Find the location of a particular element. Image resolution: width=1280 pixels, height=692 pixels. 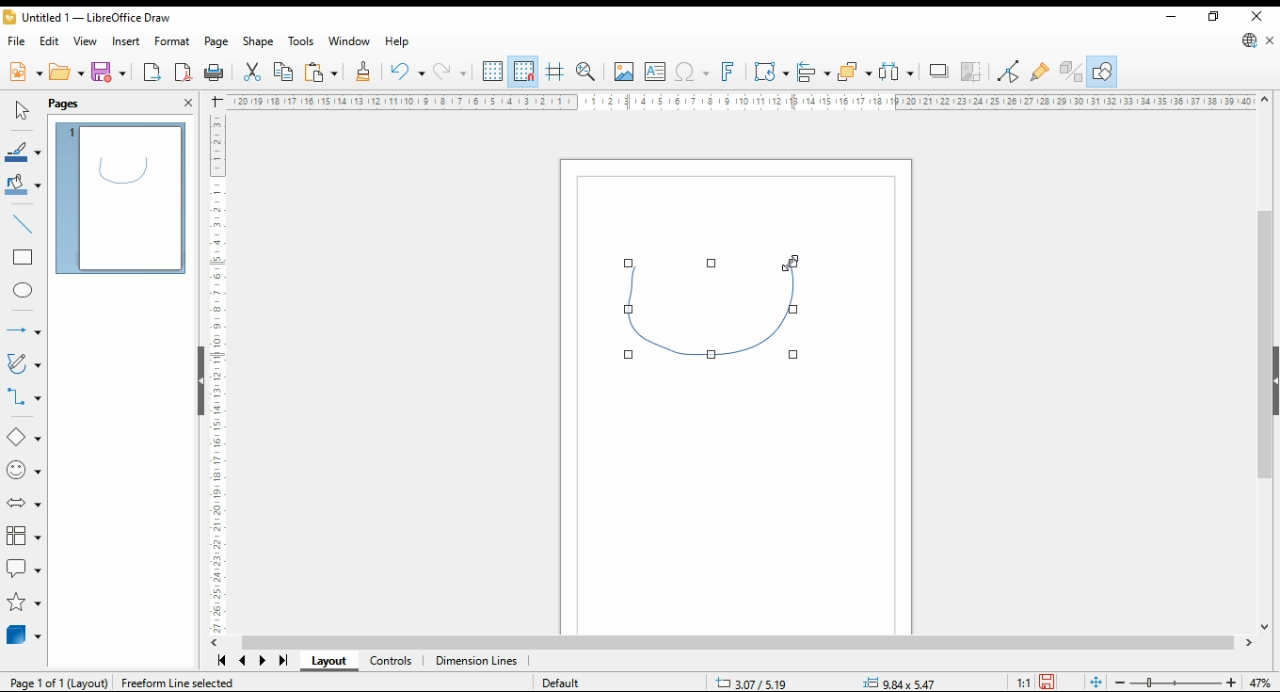

block arrows is located at coordinates (23, 501).